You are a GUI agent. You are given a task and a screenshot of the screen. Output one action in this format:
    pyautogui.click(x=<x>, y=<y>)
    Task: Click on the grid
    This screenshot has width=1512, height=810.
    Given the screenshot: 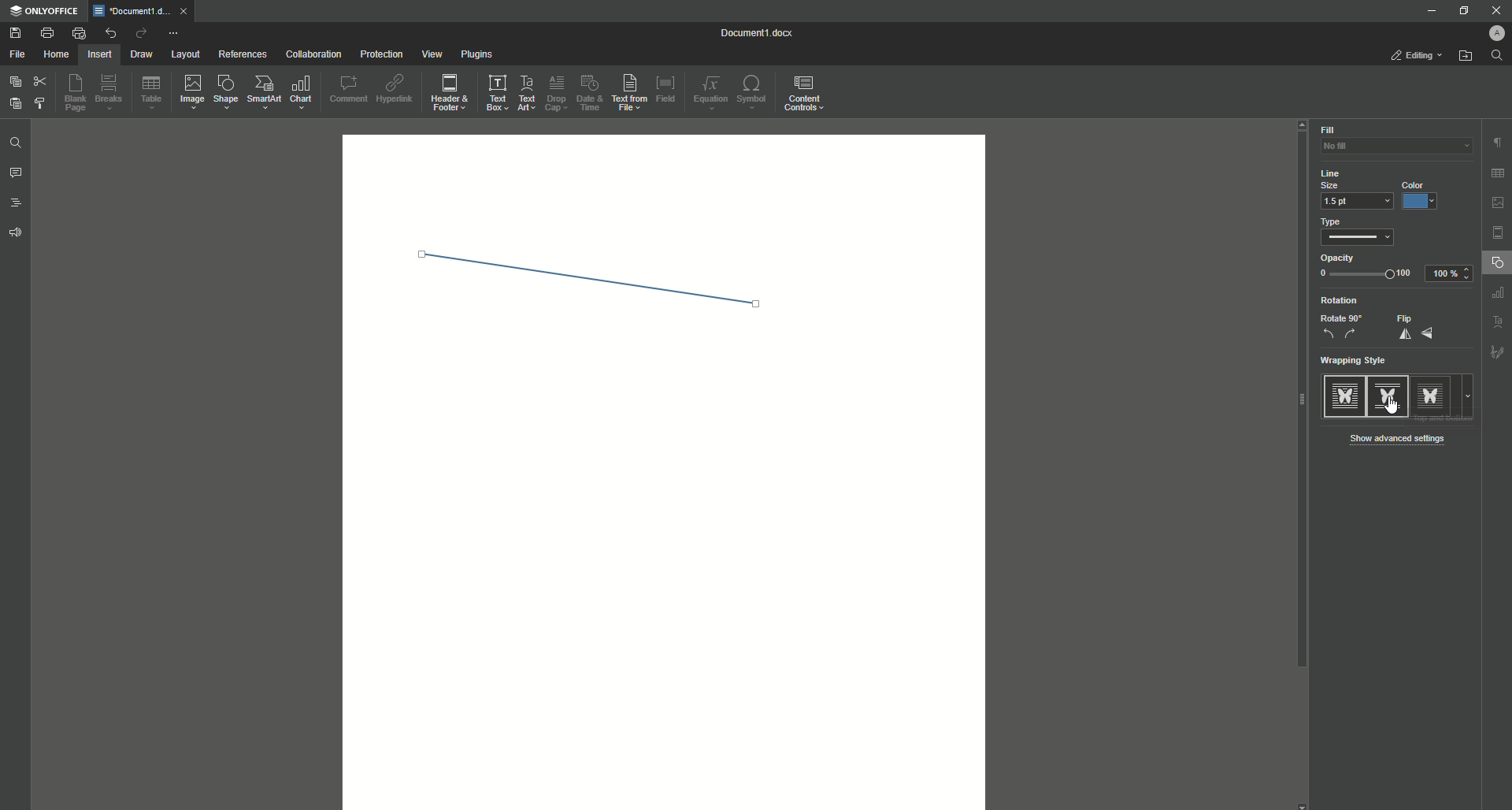 What is the action you would take?
    pyautogui.click(x=1496, y=170)
    